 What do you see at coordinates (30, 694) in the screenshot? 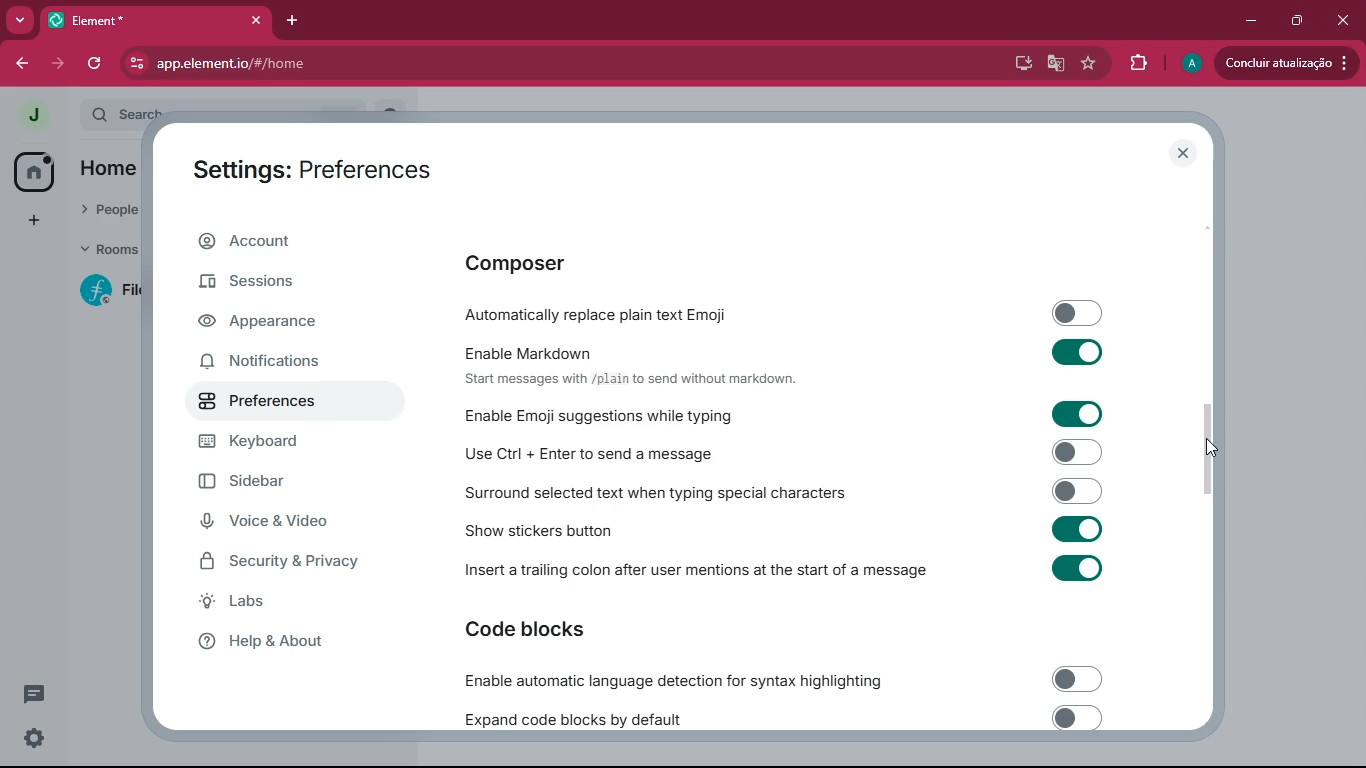
I see `conversation` at bounding box center [30, 694].